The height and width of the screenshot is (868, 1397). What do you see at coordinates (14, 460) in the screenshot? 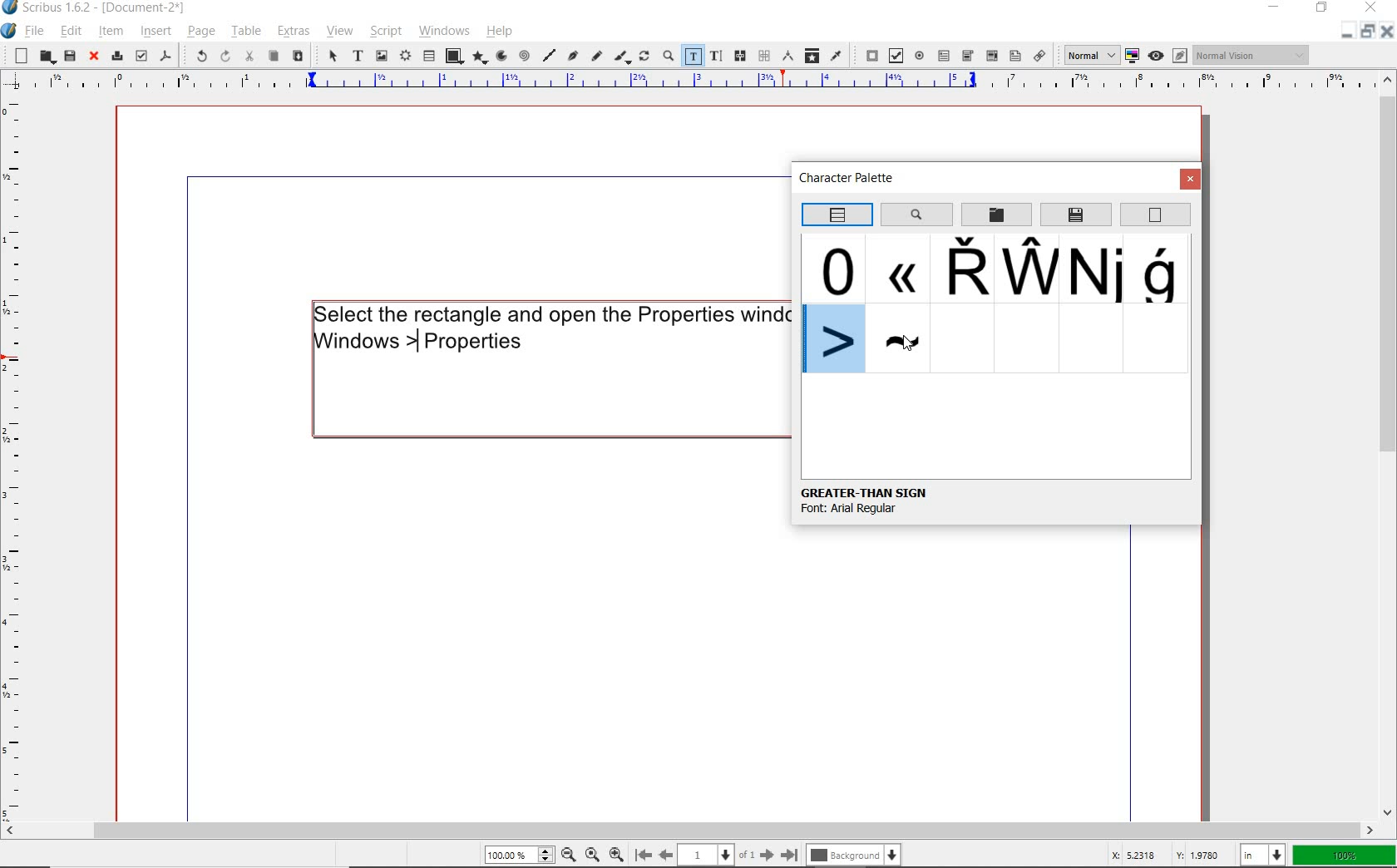
I see `ruler` at bounding box center [14, 460].